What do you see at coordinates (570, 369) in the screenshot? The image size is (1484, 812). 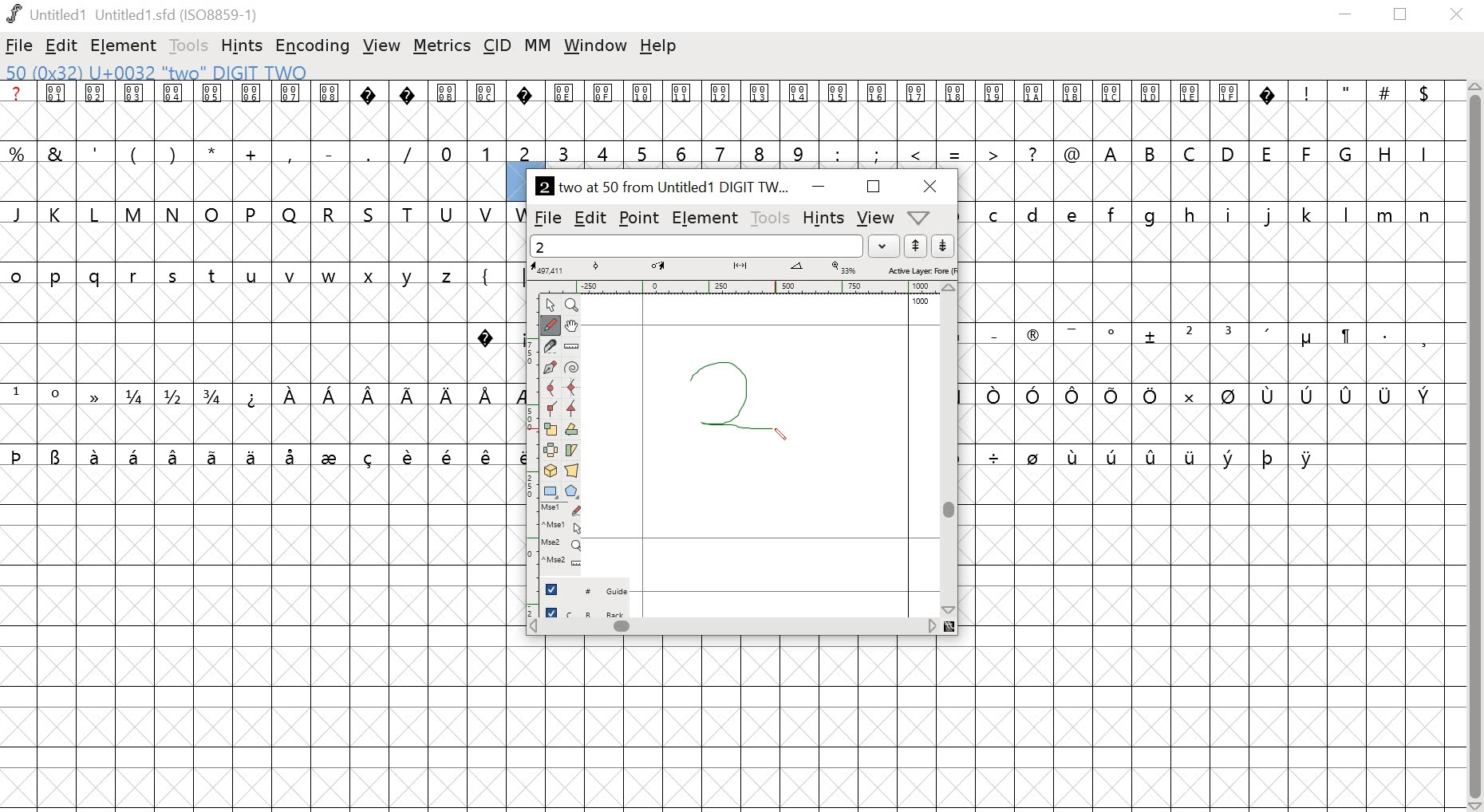 I see `spiro` at bounding box center [570, 369].